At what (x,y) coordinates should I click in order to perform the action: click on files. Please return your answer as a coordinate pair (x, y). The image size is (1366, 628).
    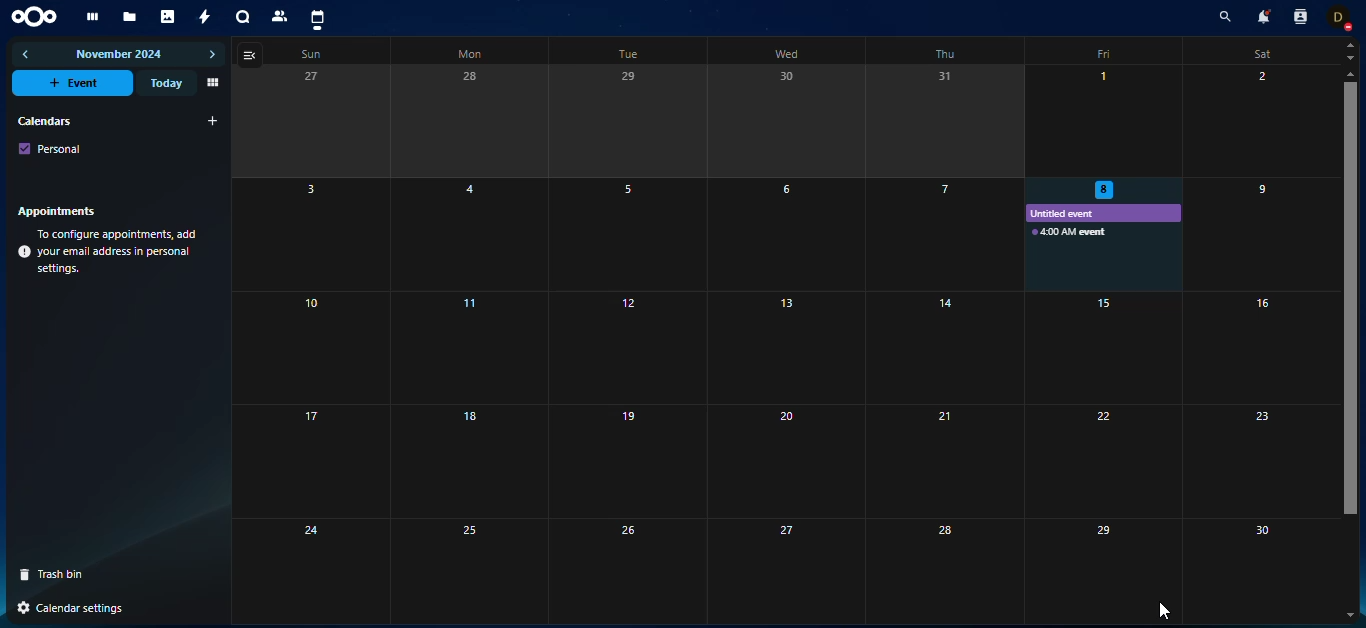
    Looking at the image, I should click on (130, 18).